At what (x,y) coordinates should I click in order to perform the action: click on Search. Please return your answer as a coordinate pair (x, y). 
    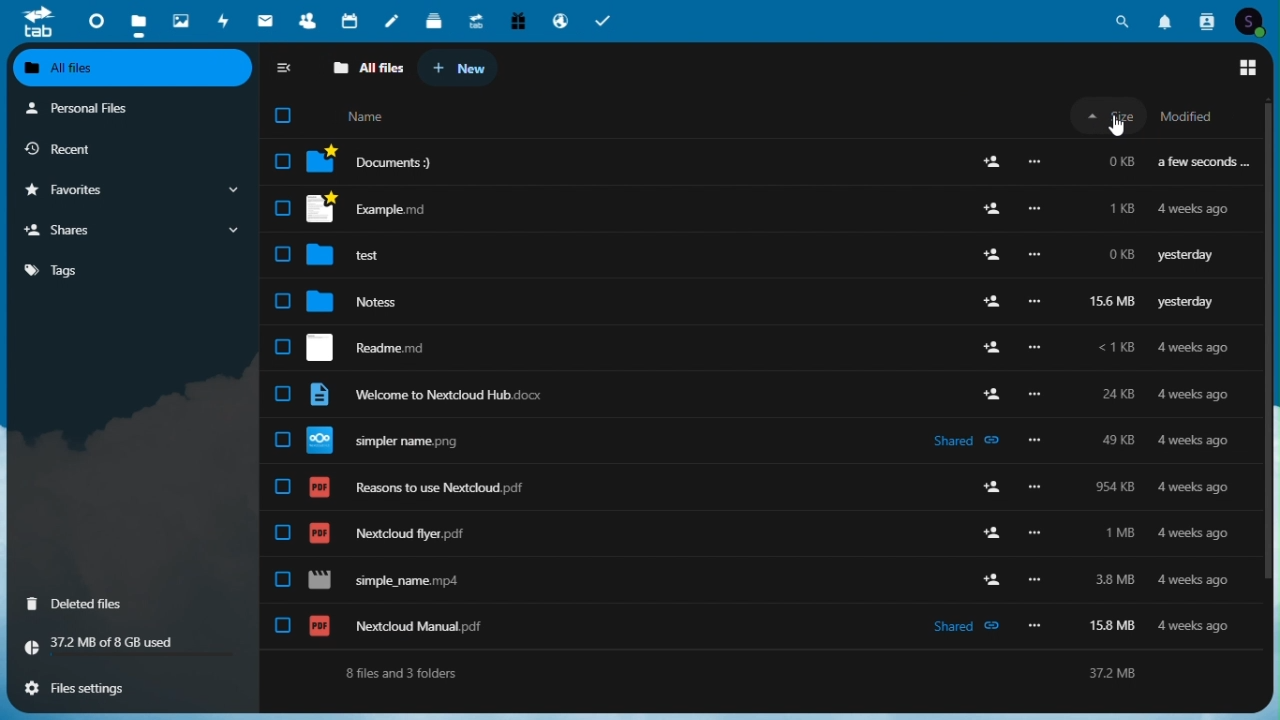
    Looking at the image, I should click on (1127, 19).